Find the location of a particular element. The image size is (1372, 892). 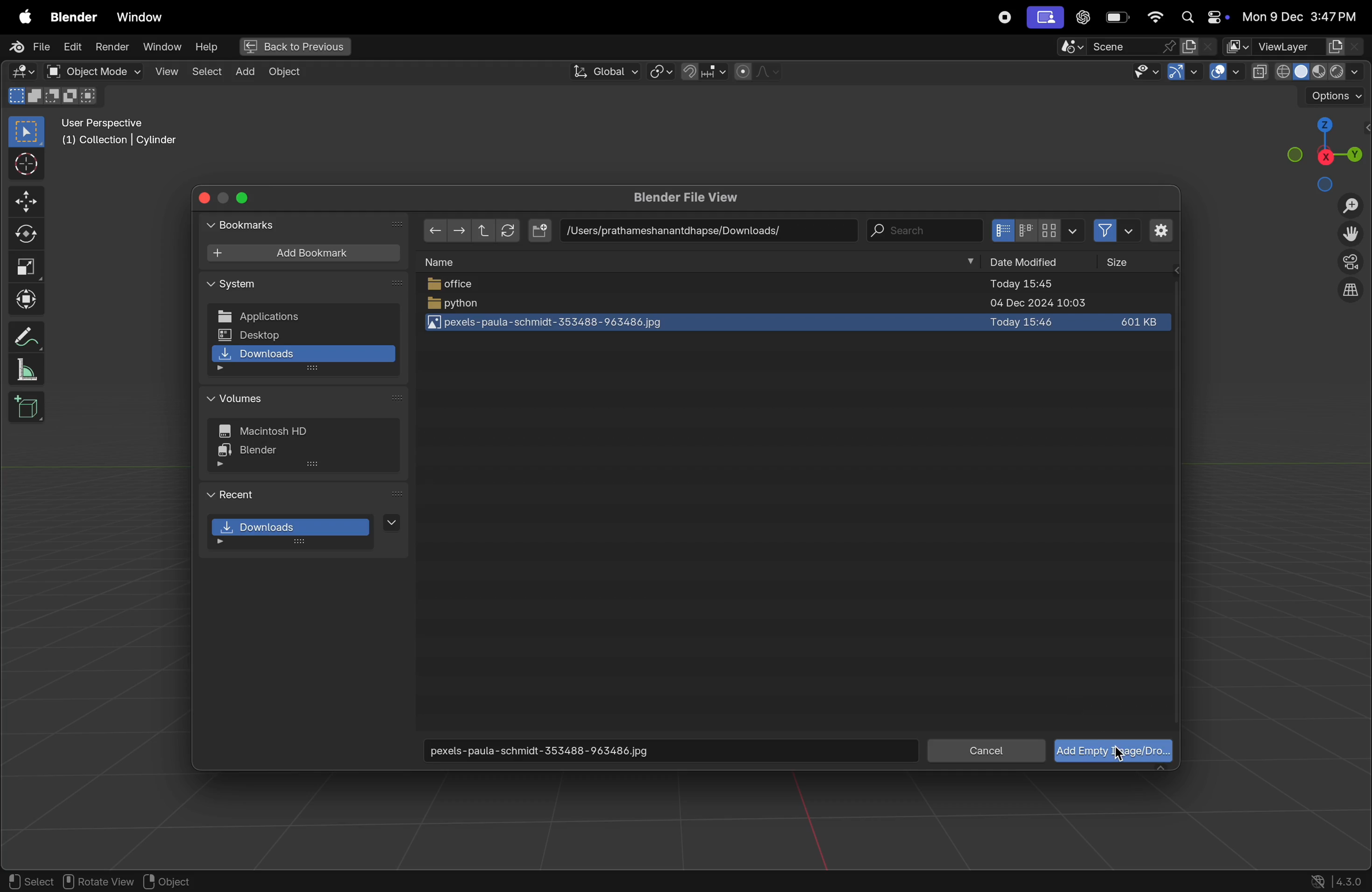

upward is located at coordinates (480, 229).